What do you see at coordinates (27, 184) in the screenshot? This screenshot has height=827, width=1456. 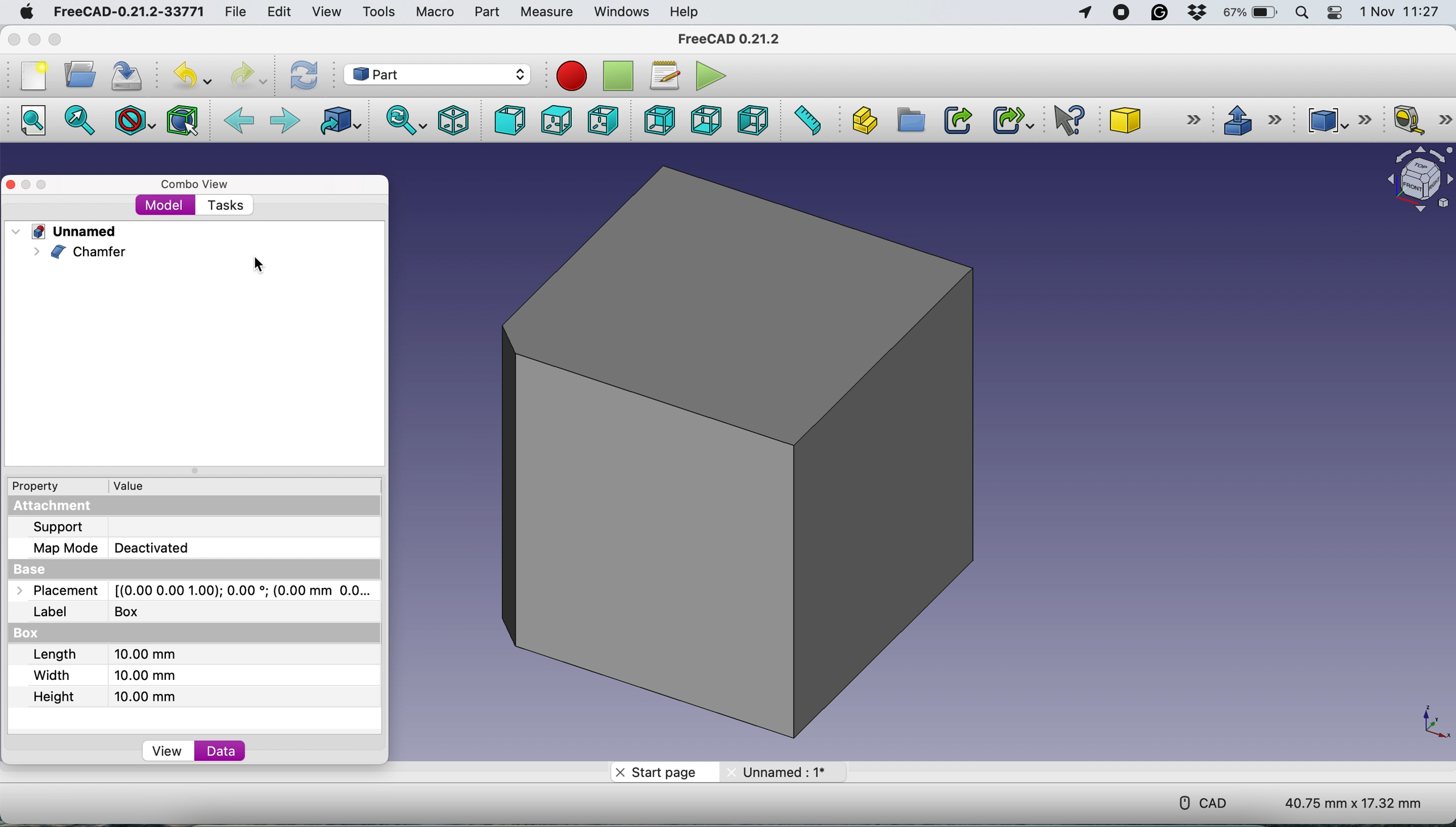 I see `minimise` at bounding box center [27, 184].